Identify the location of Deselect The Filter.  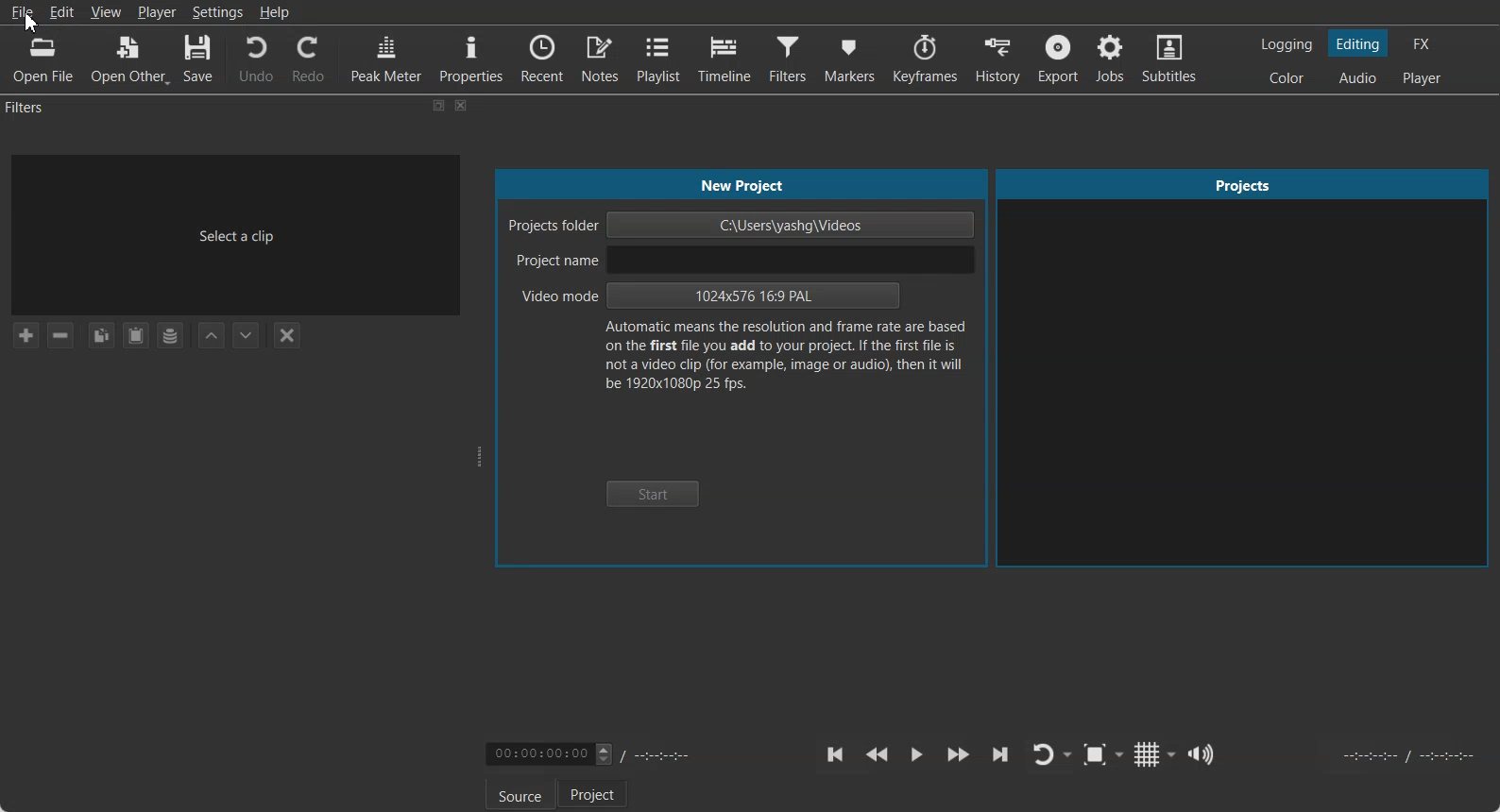
(286, 335).